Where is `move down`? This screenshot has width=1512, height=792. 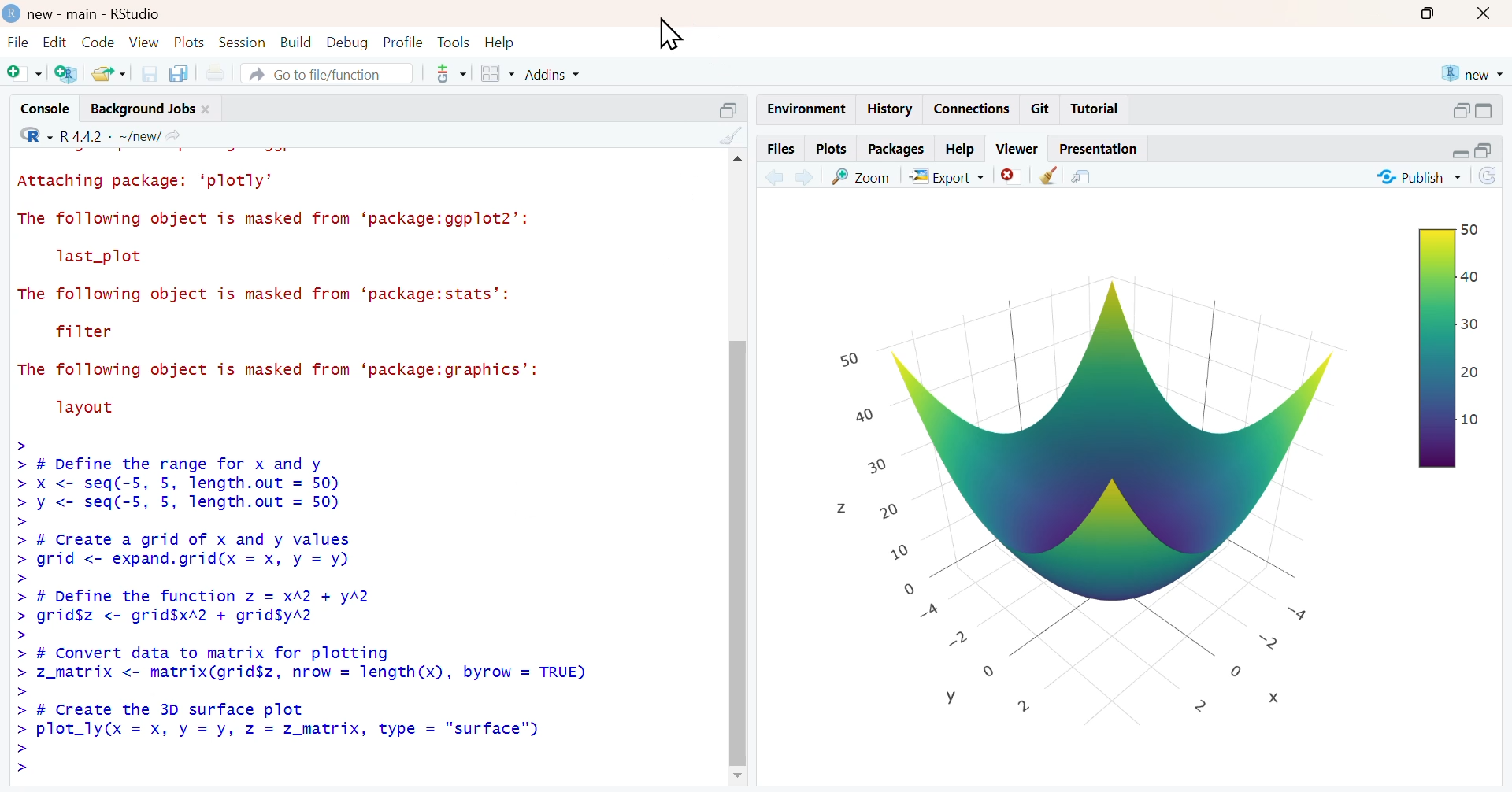
move down is located at coordinates (737, 780).